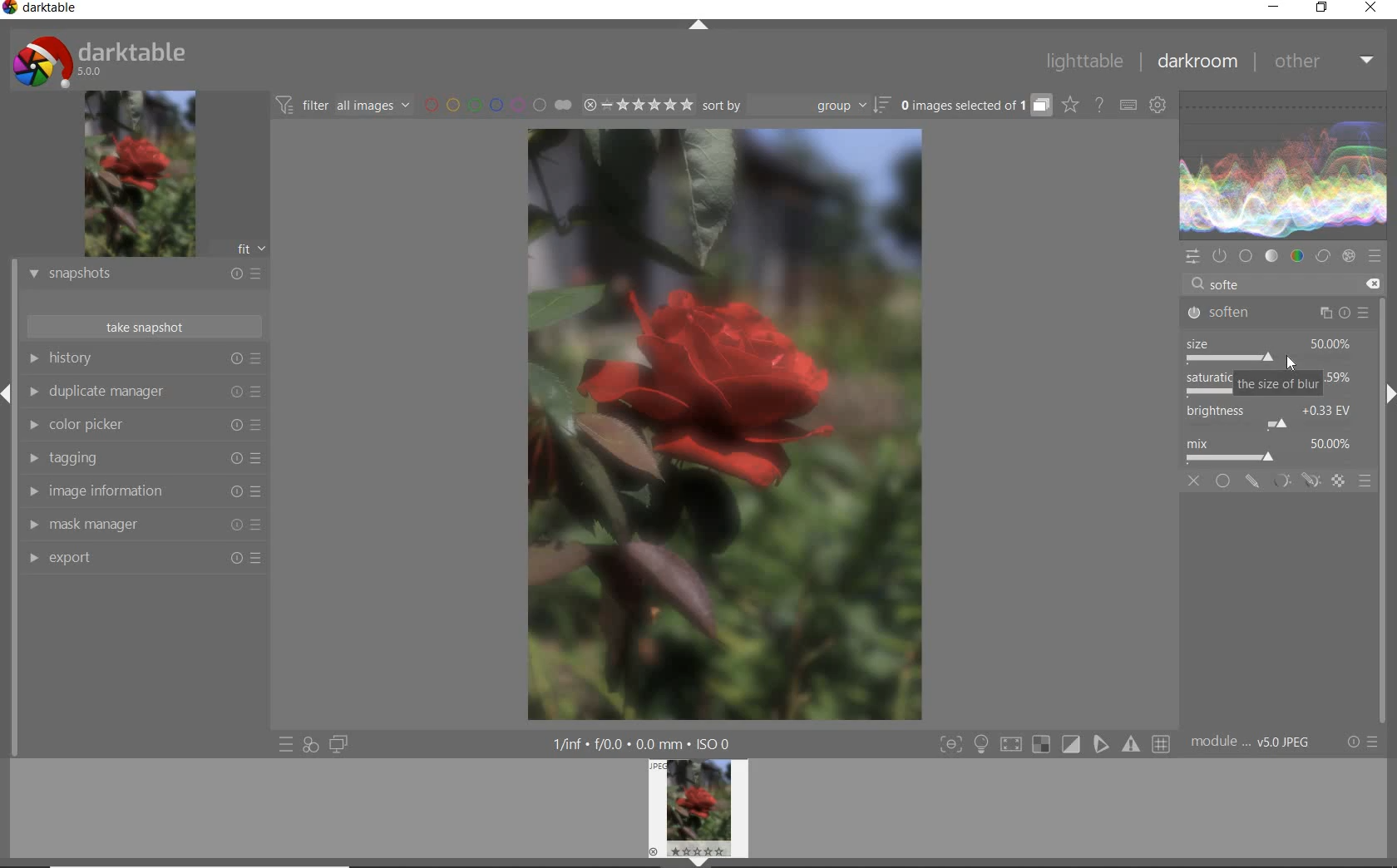  Describe the element at coordinates (143, 392) in the screenshot. I see `duplicate manager` at that location.